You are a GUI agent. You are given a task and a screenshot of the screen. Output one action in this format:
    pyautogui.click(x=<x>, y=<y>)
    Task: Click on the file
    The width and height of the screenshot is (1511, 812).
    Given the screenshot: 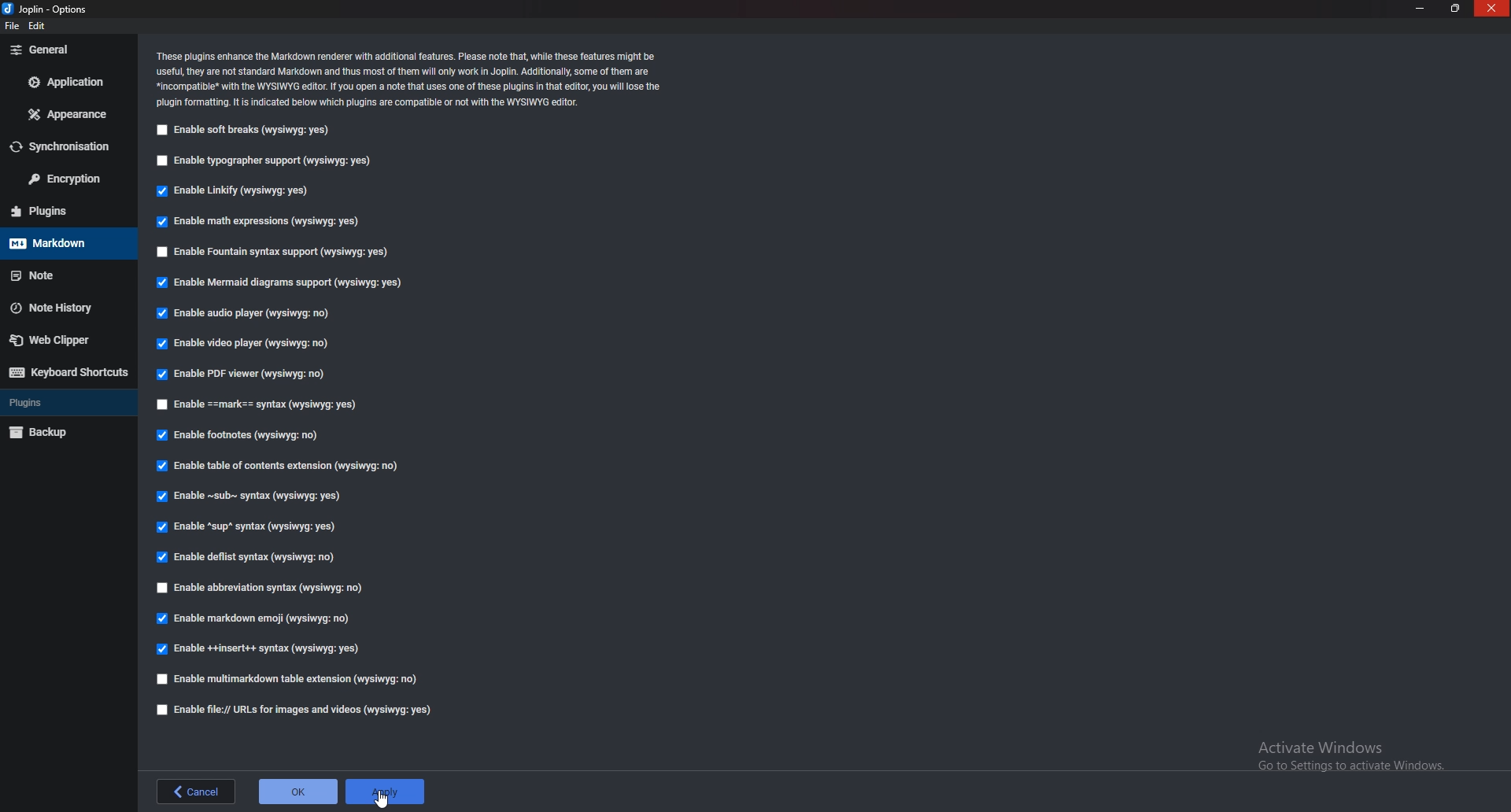 What is the action you would take?
    pyautogui.click(x=15, y=26)
    